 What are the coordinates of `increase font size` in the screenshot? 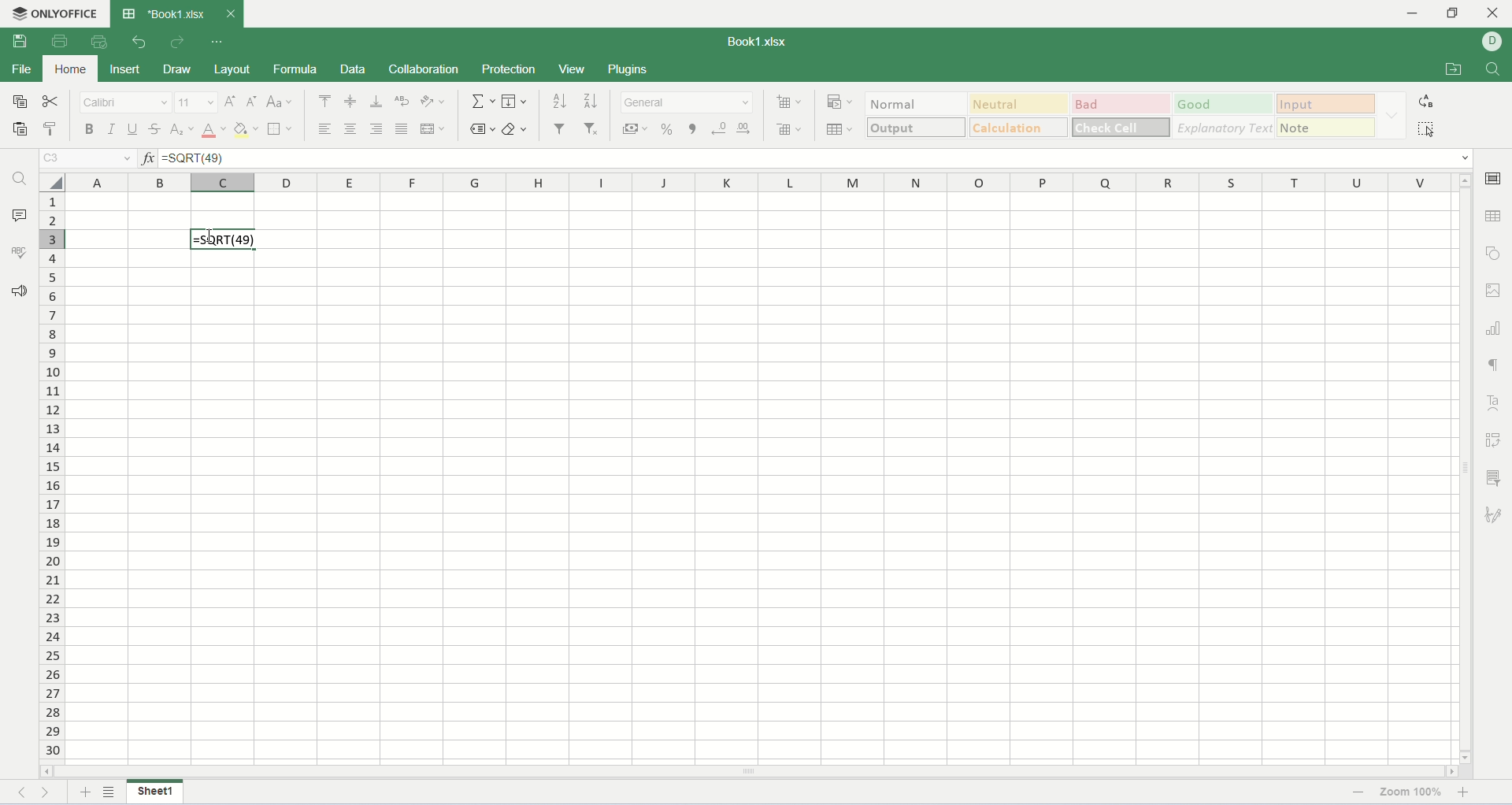 It's located at (232, 100).